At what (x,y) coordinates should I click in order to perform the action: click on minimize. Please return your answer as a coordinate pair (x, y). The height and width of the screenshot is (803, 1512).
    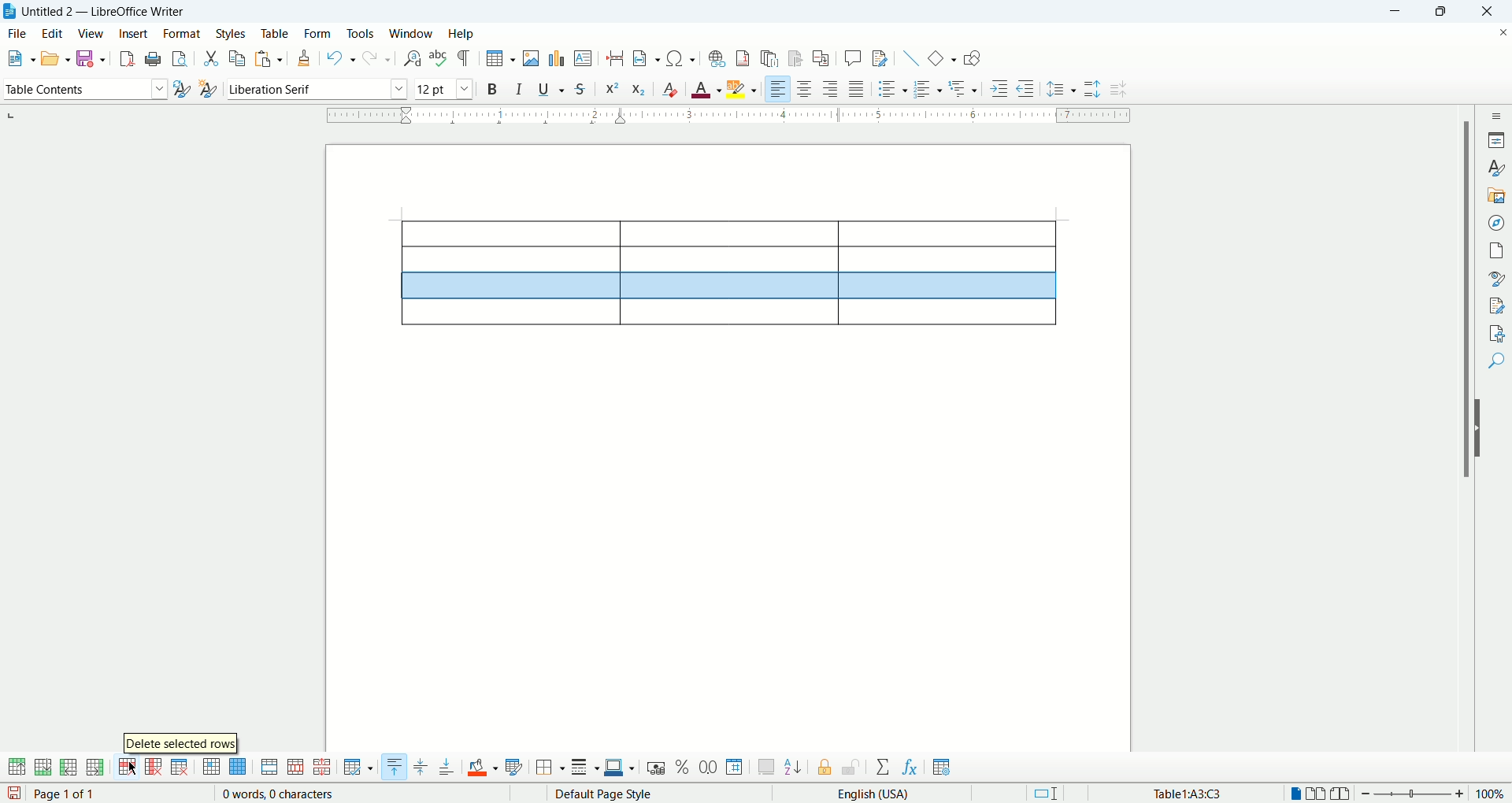
    Looking at the image, I should click on (1392, 13).